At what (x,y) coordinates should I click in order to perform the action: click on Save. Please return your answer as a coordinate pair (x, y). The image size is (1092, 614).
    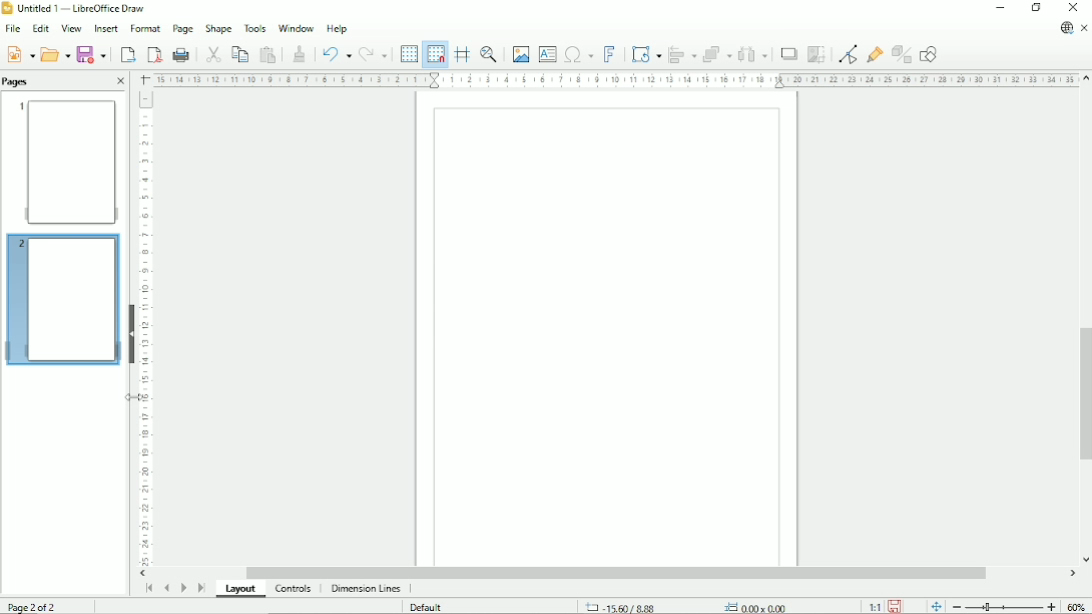
    Looking at the image, I should click on (896, 605).